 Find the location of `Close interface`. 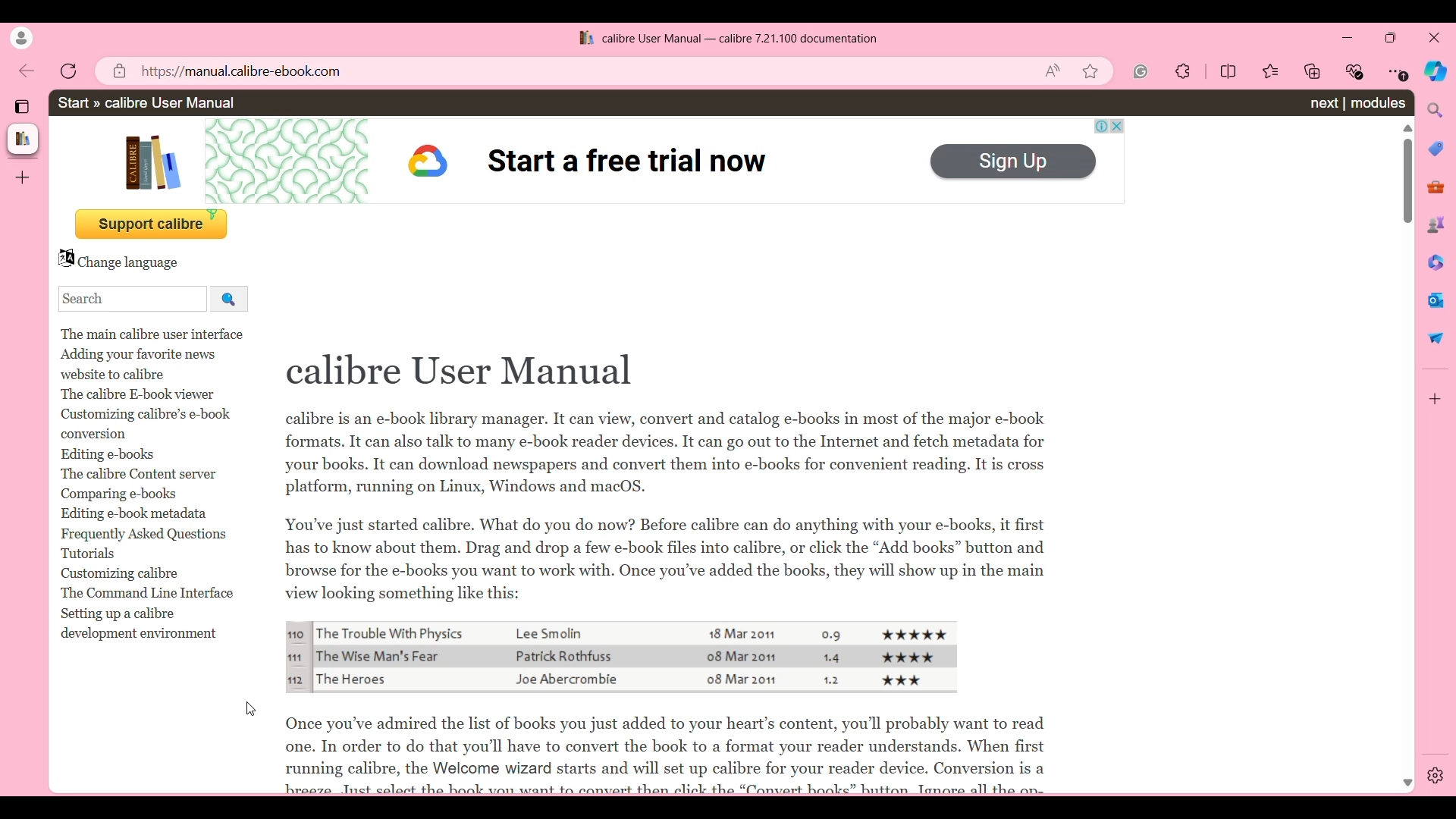

Close interface is located at coordinates (1435, 38).